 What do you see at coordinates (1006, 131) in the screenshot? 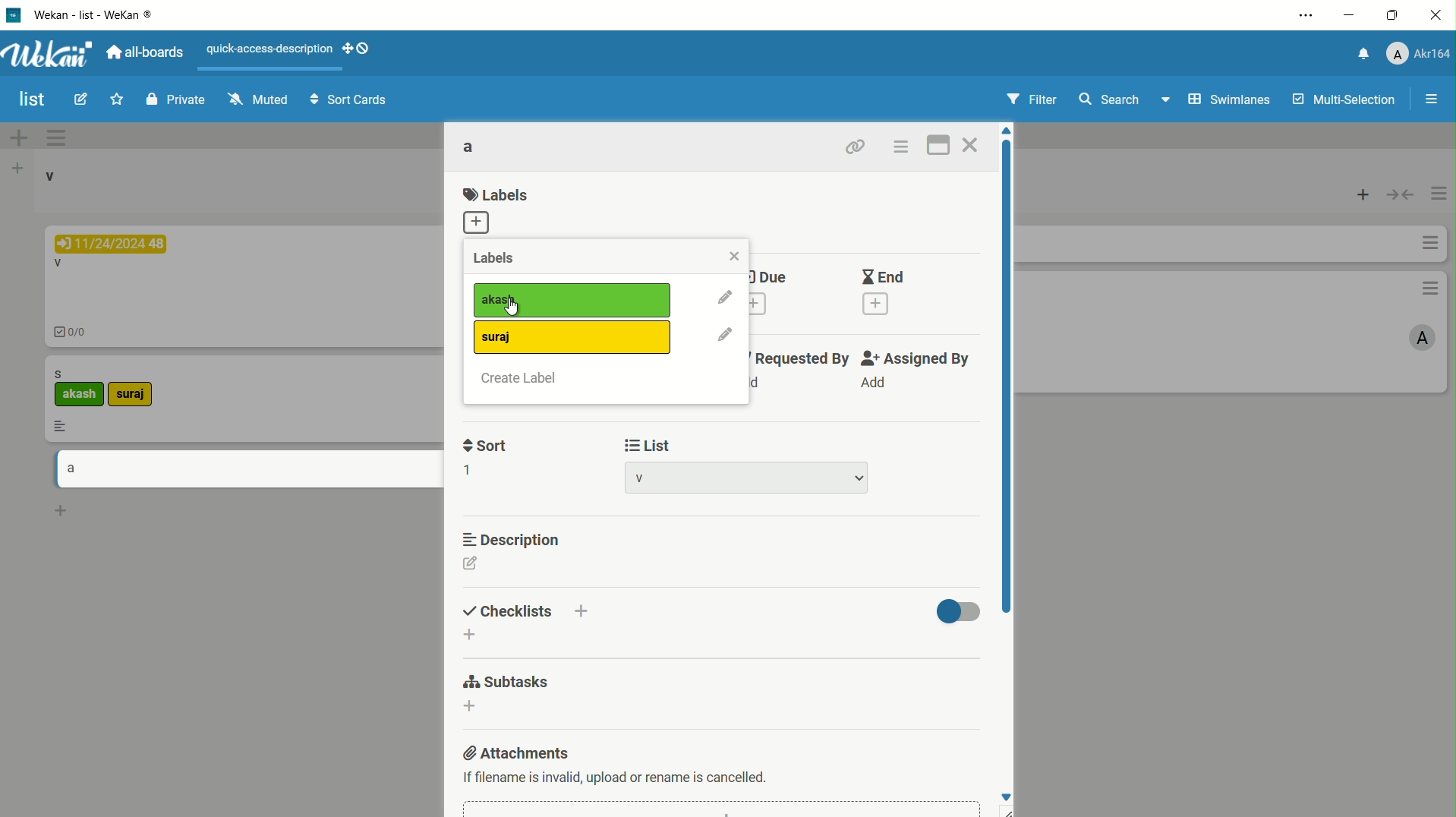
I see `move up` at bounding box center [1006, 131].